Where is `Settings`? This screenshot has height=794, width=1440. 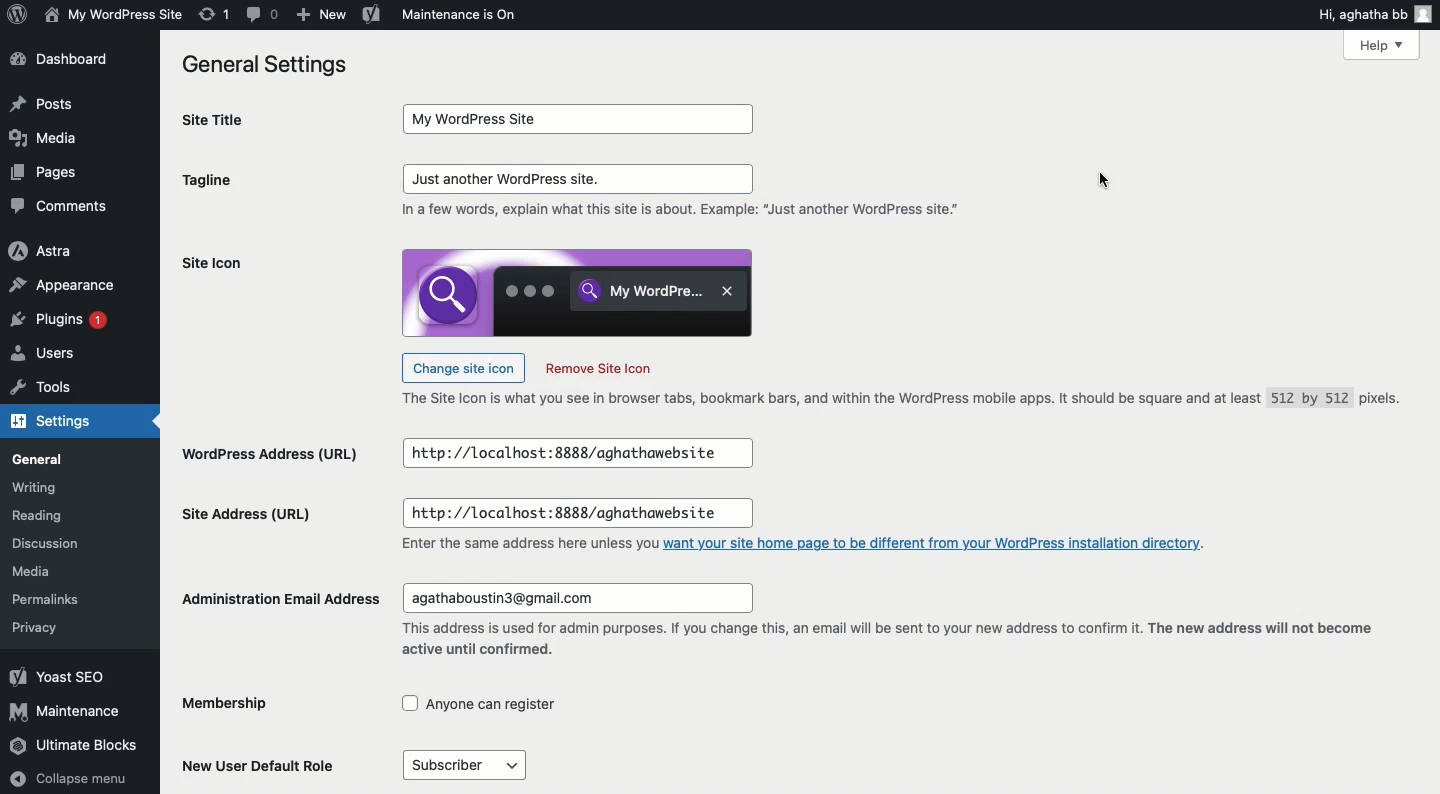 Settings is located at coordinates (62, 423).